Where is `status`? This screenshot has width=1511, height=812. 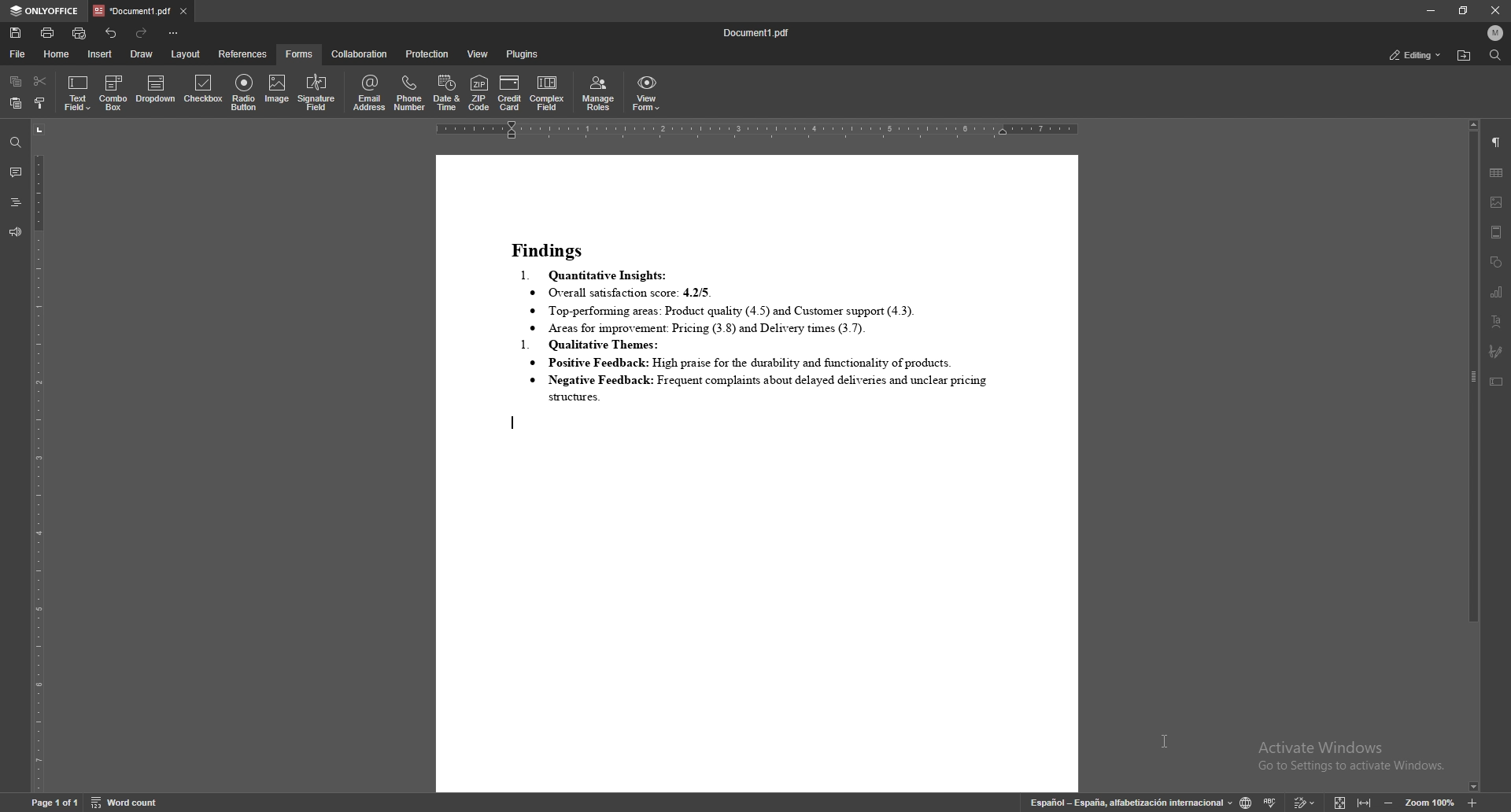
status is located at coordinates (1416, 54).